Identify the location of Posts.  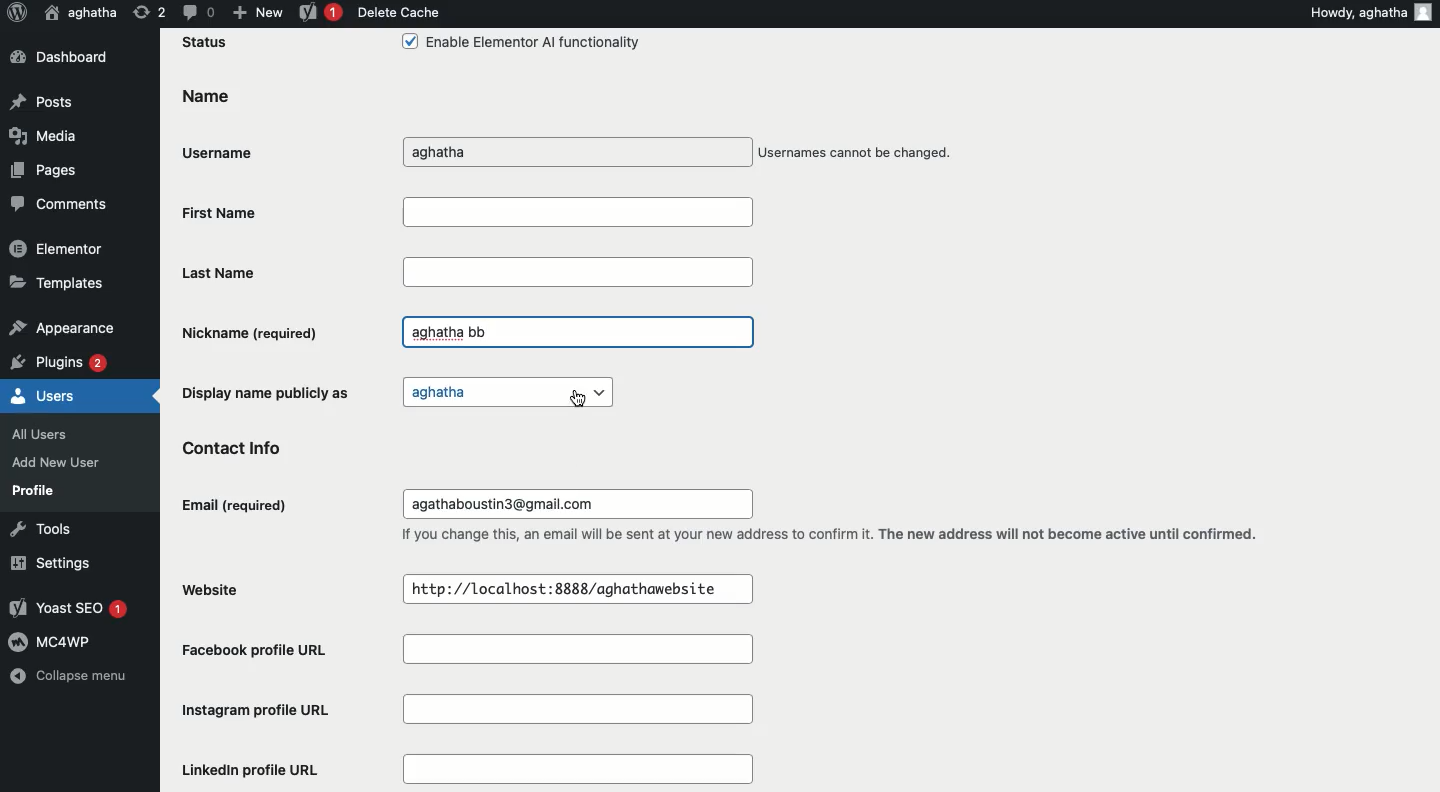
(43, 104).